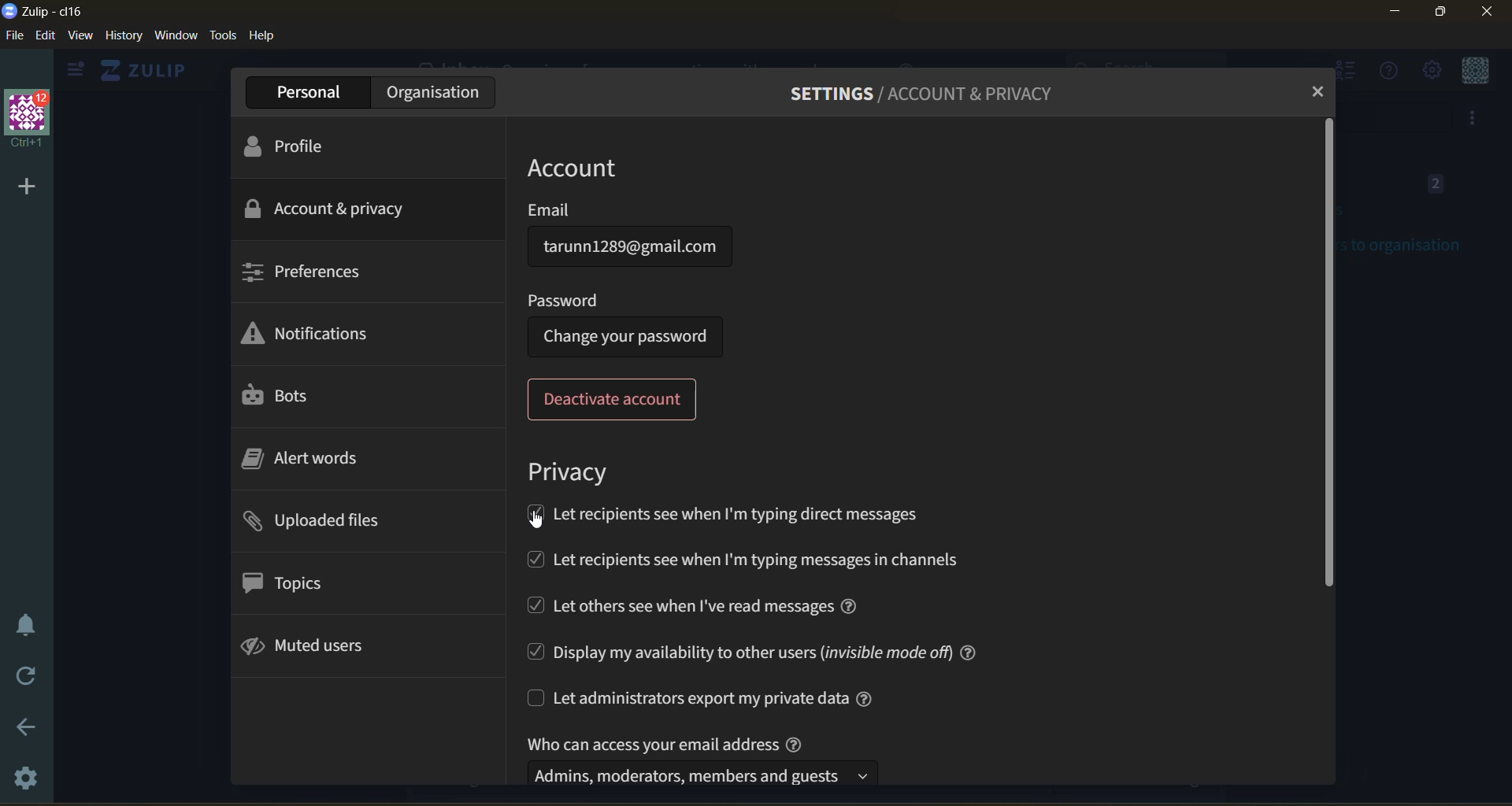 The height and width of the screenshot is (806, 1512). I want to click on topics, so click(287, 582).